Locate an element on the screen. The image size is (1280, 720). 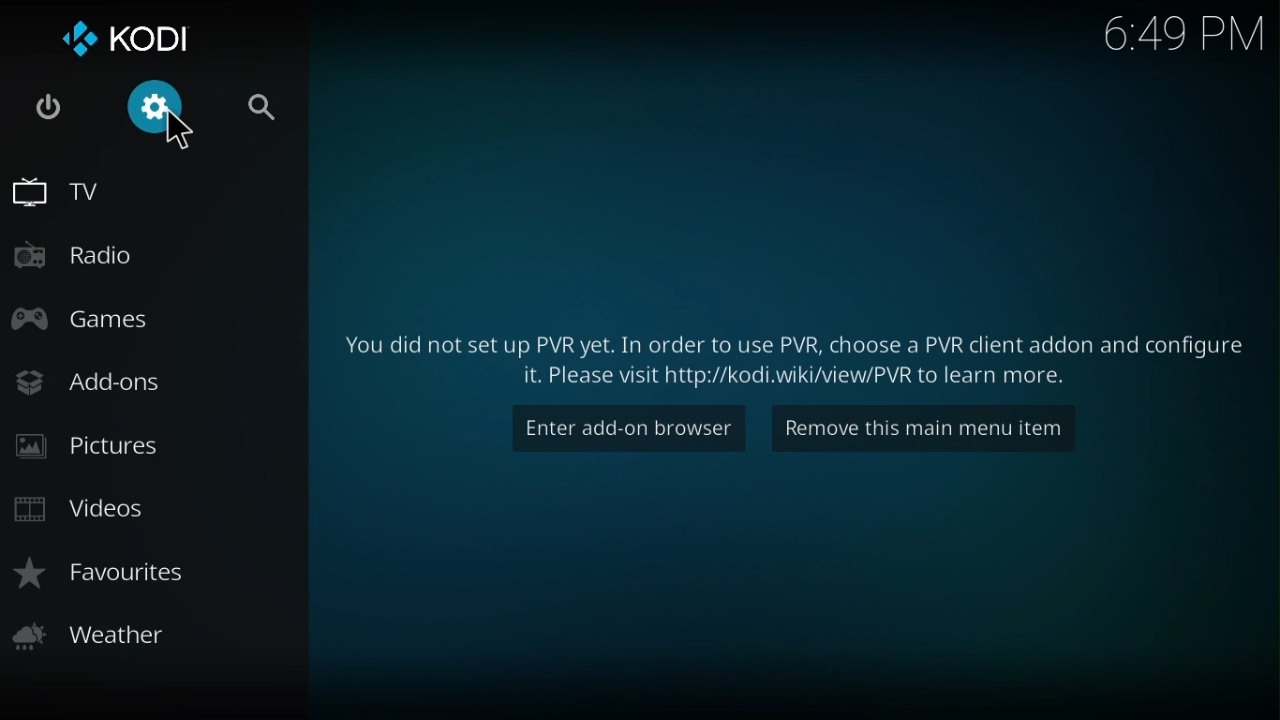
Weather is located at coordinates (97, 633).